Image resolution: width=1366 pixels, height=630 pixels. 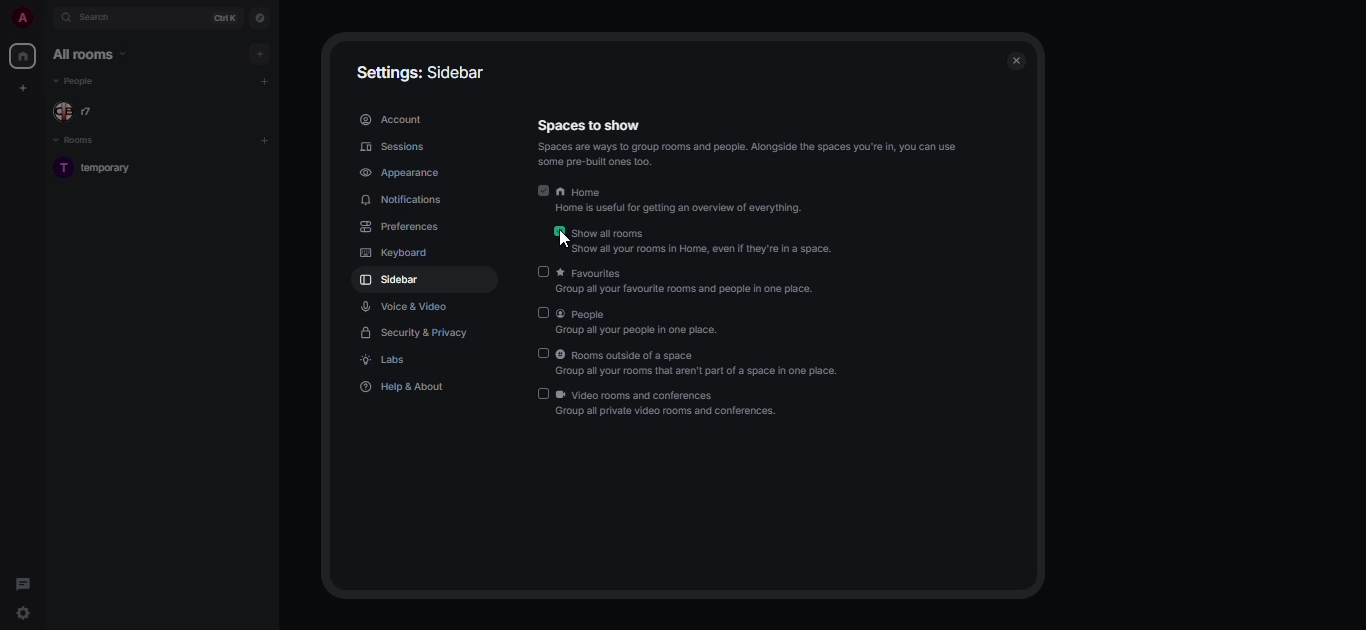 I want to click on close, so click(x=1018, y=60).